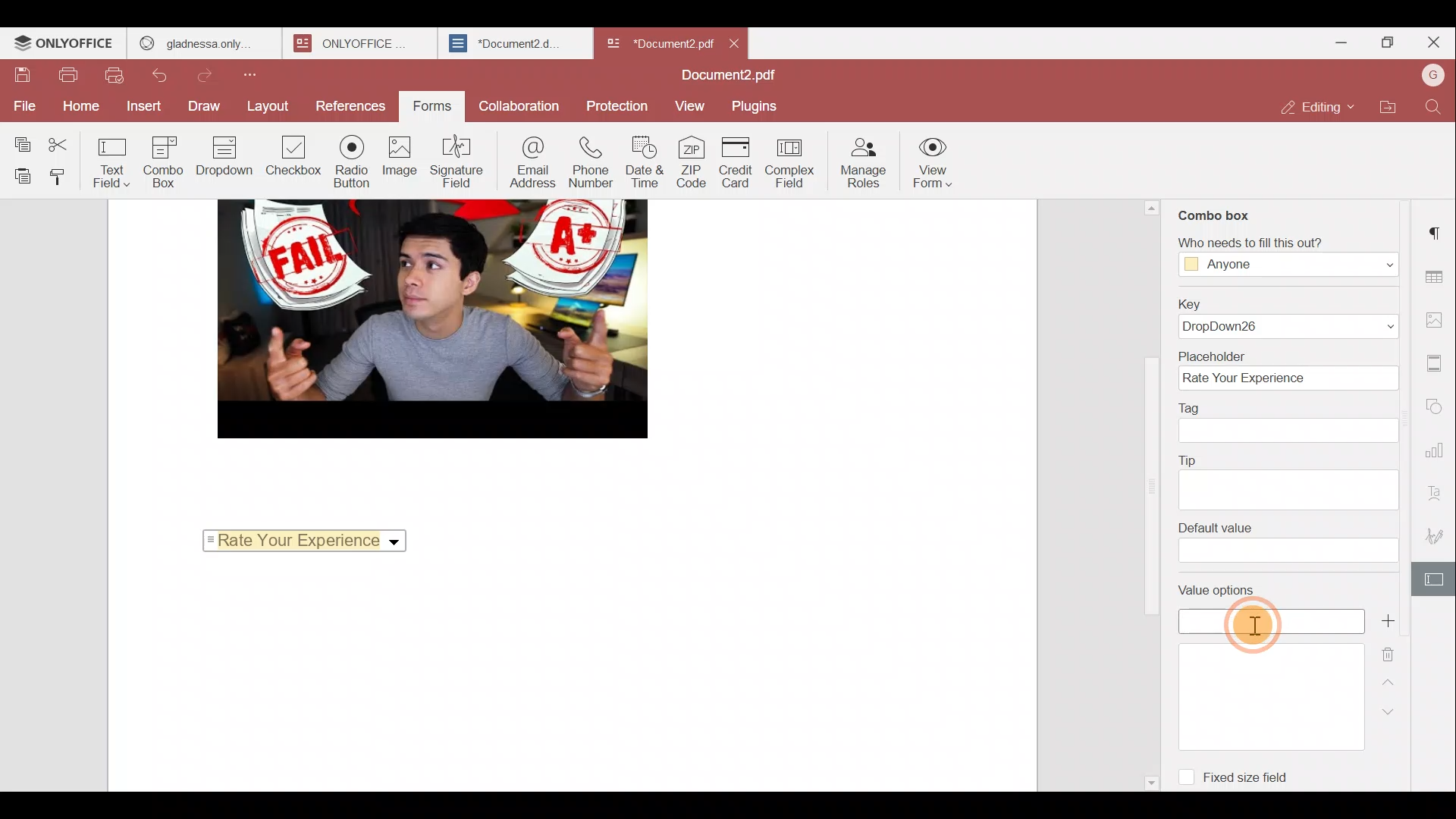  Describe the element at coordinates (301, 539) in the screenshot. I see `rate your experience` at that location.